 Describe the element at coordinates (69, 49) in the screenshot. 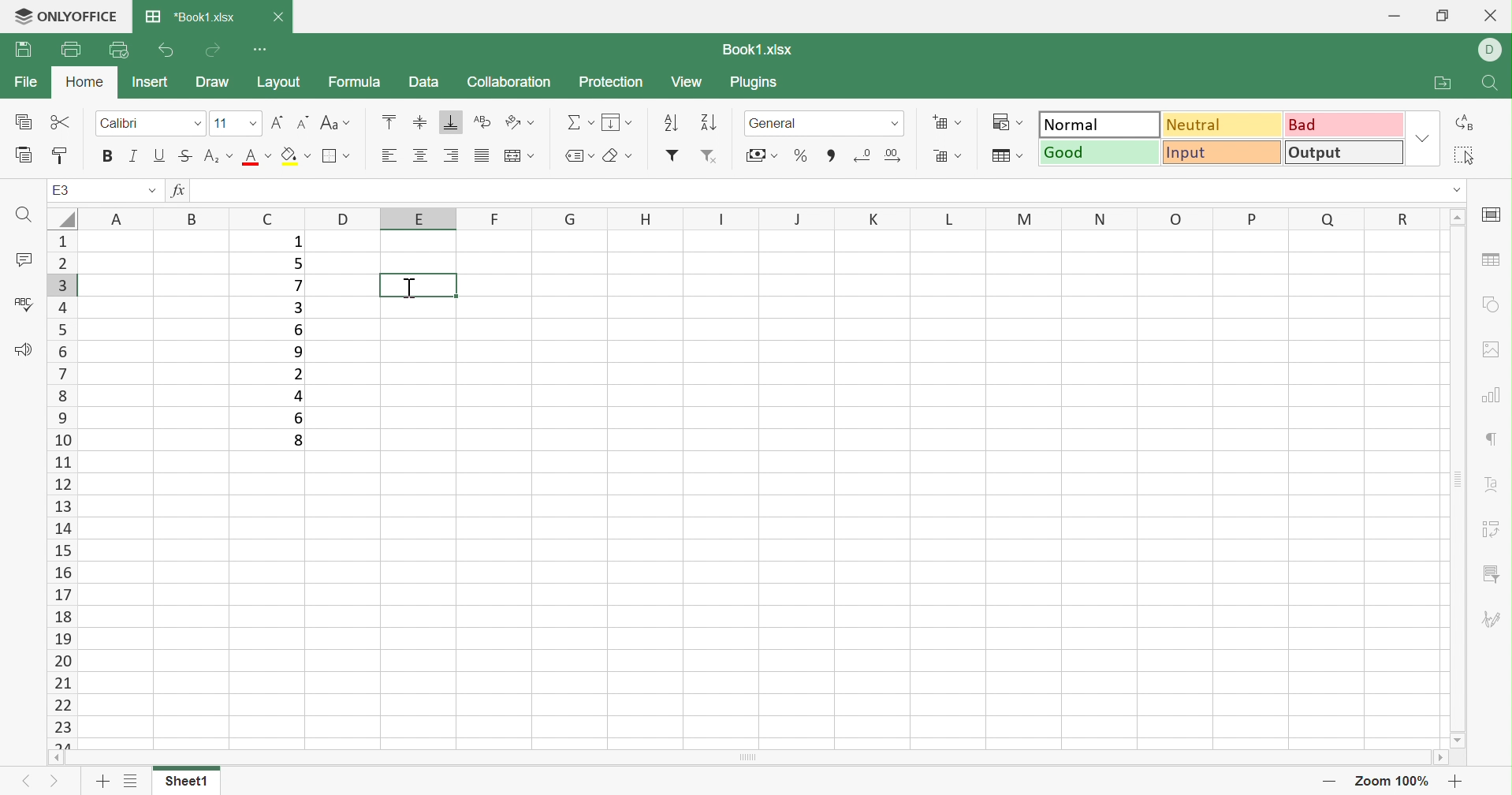

I see `Print` at that location.